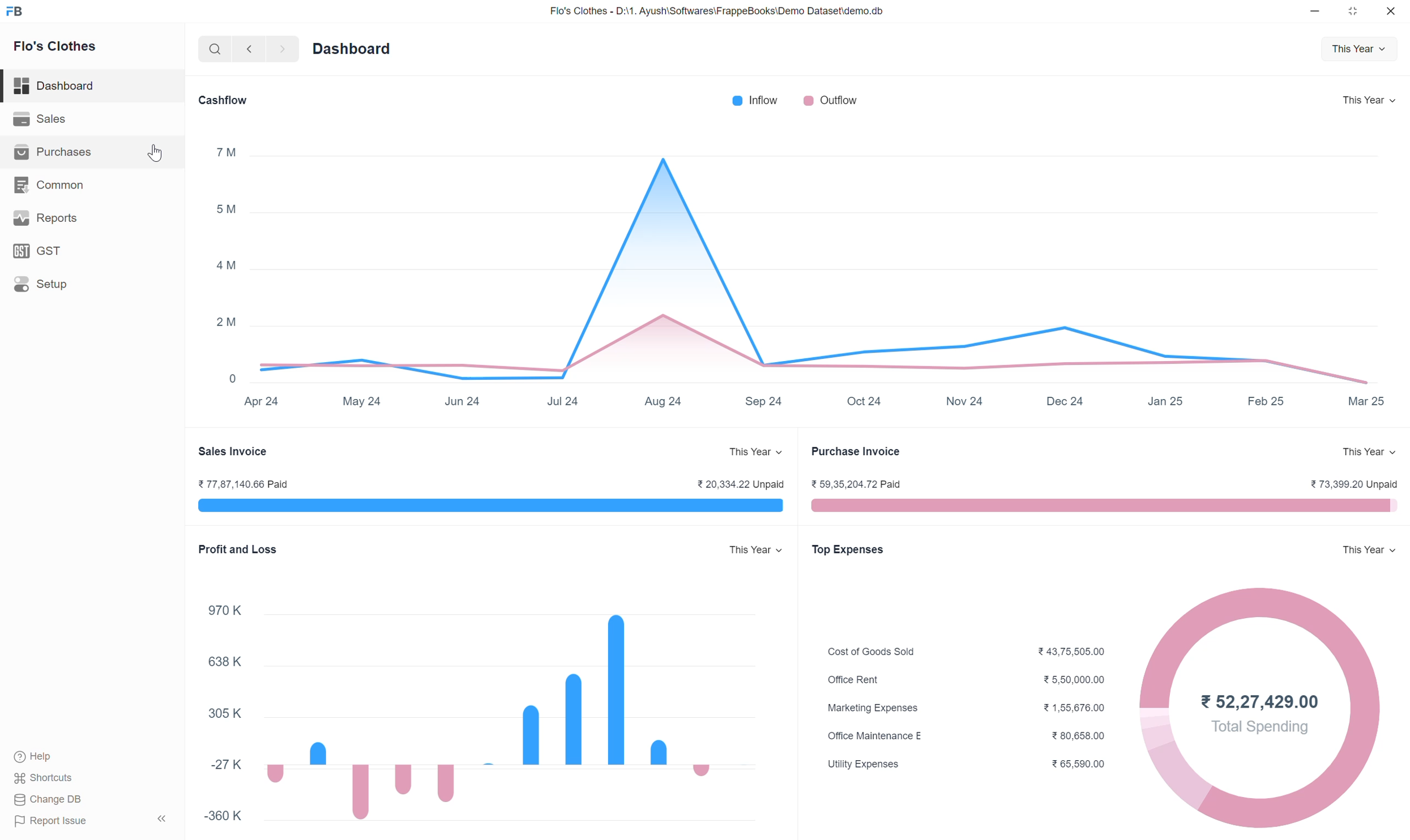  What do you see at coordinates (207, 609) in the screenshot?
I see `970K` at bounding box center [207, 609].